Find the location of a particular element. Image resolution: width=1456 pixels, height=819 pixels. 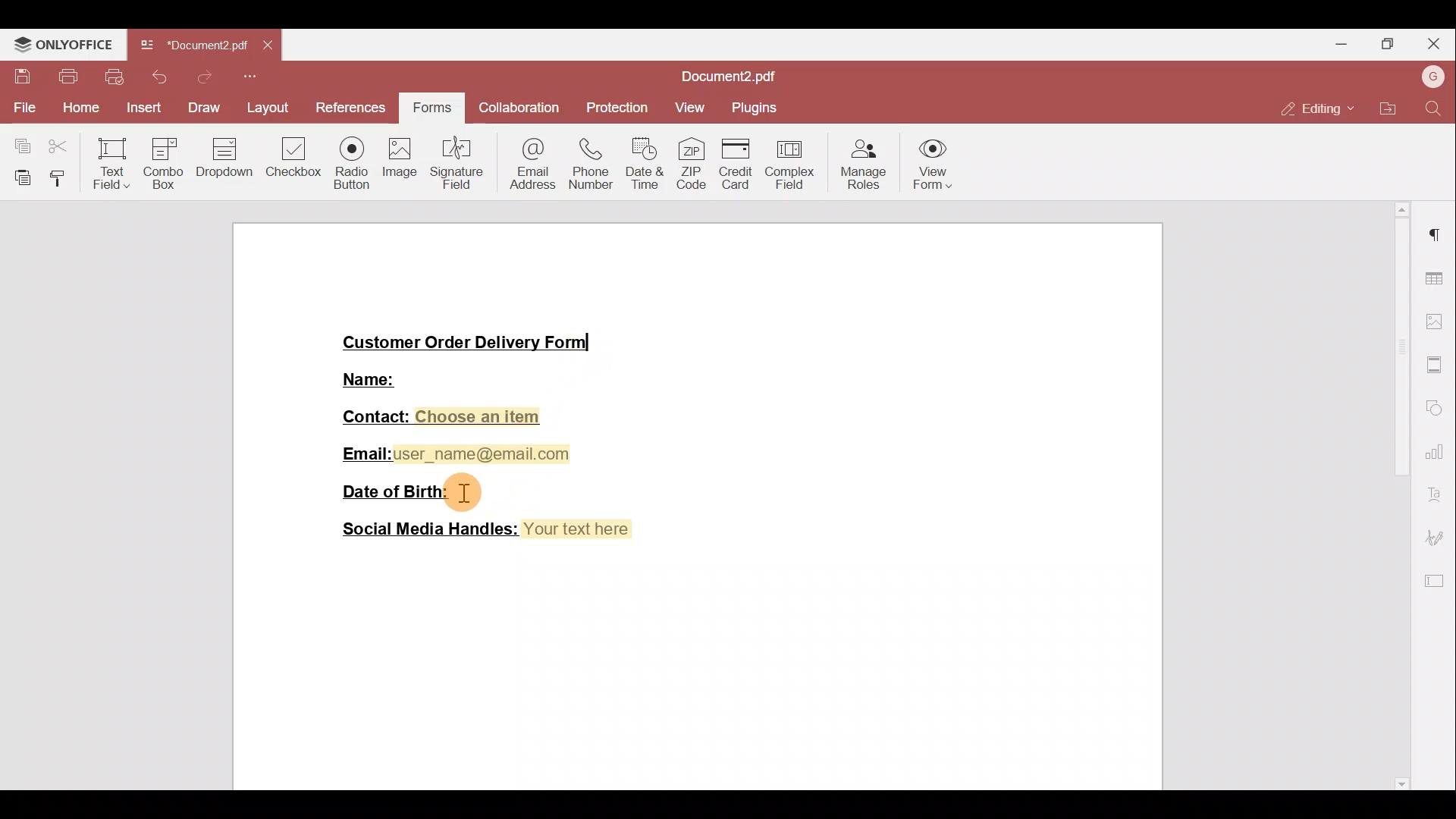

Signature settings is located at coordinates (1438, 538).